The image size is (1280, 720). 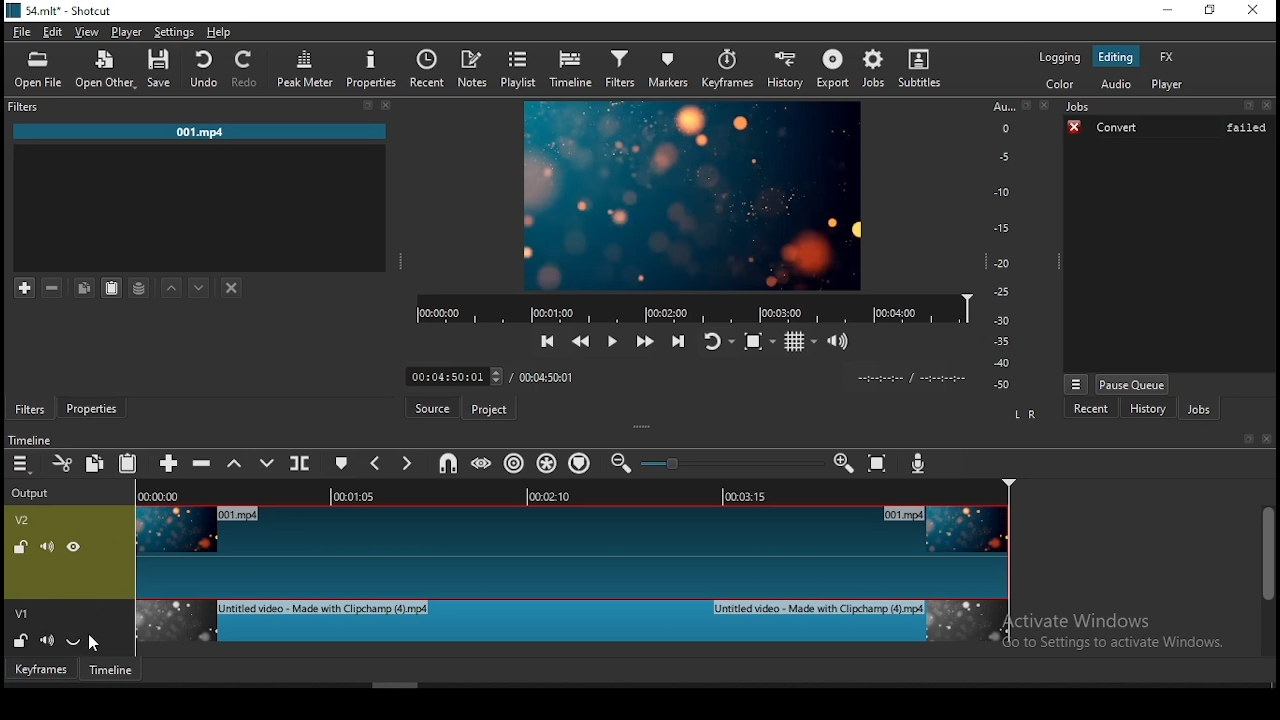 I want to click on close, so click(x=1269, y=440).